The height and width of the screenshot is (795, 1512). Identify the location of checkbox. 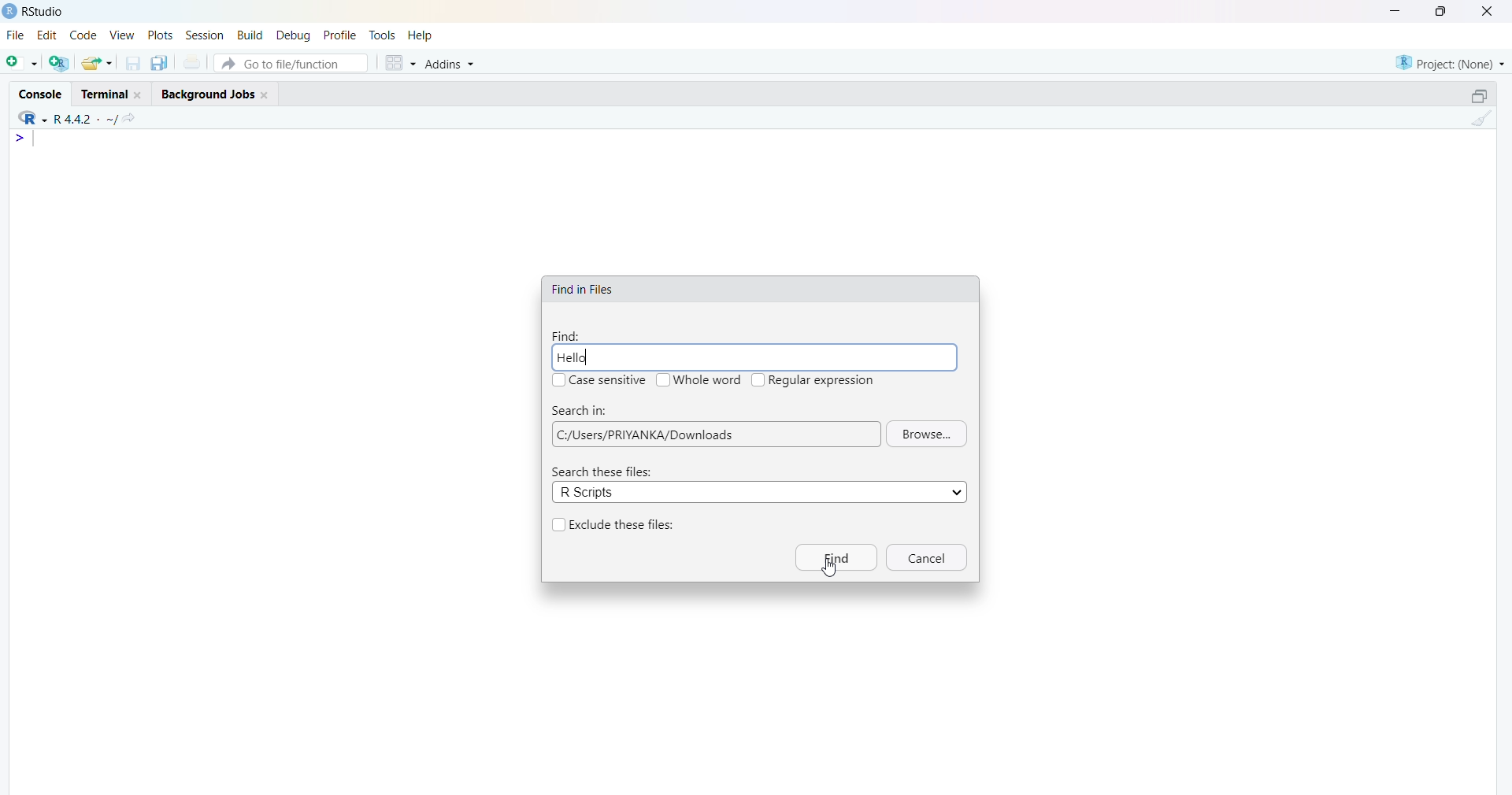
(664, 380).